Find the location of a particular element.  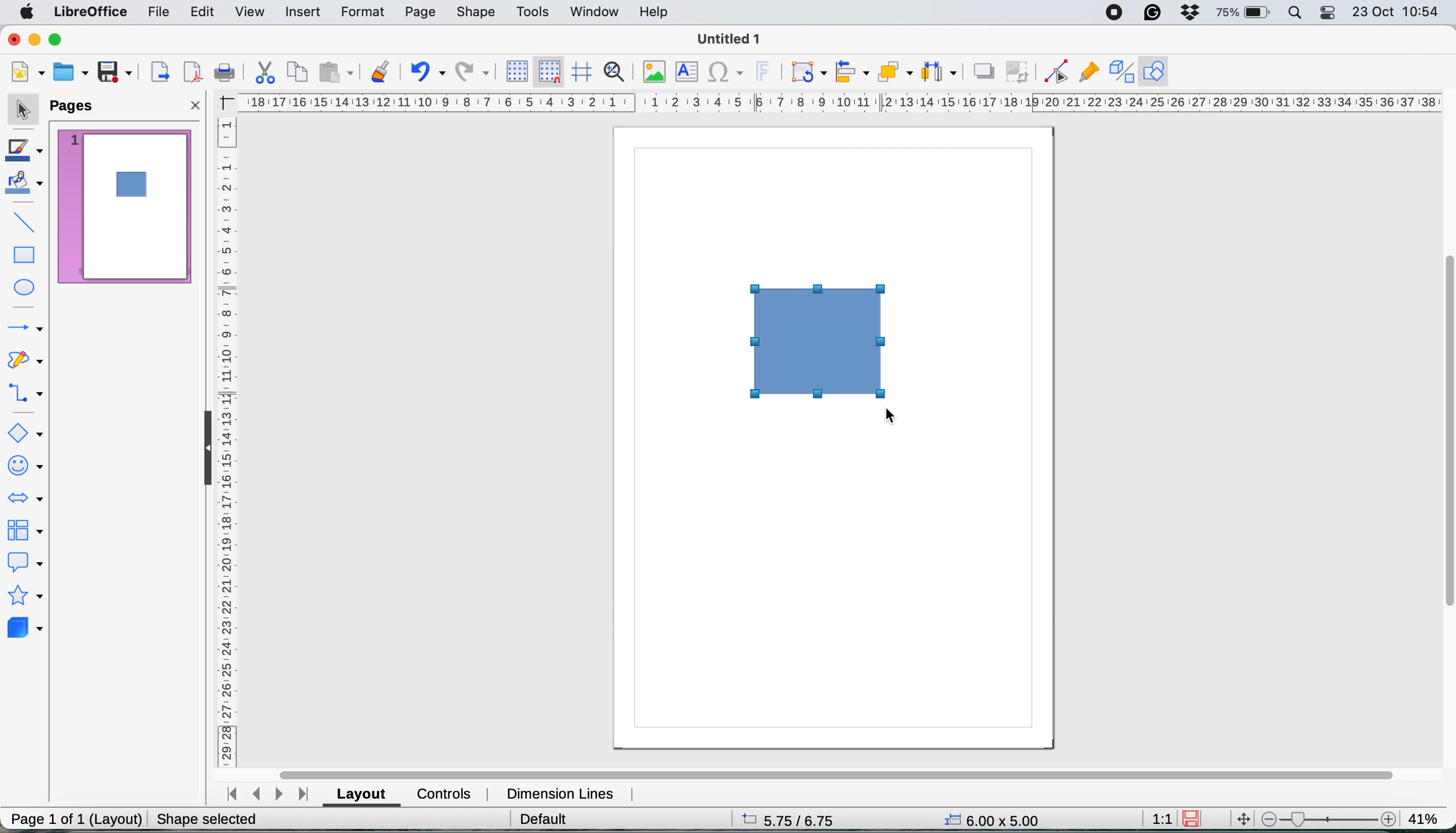

save is located at coordinates (1196, 818).